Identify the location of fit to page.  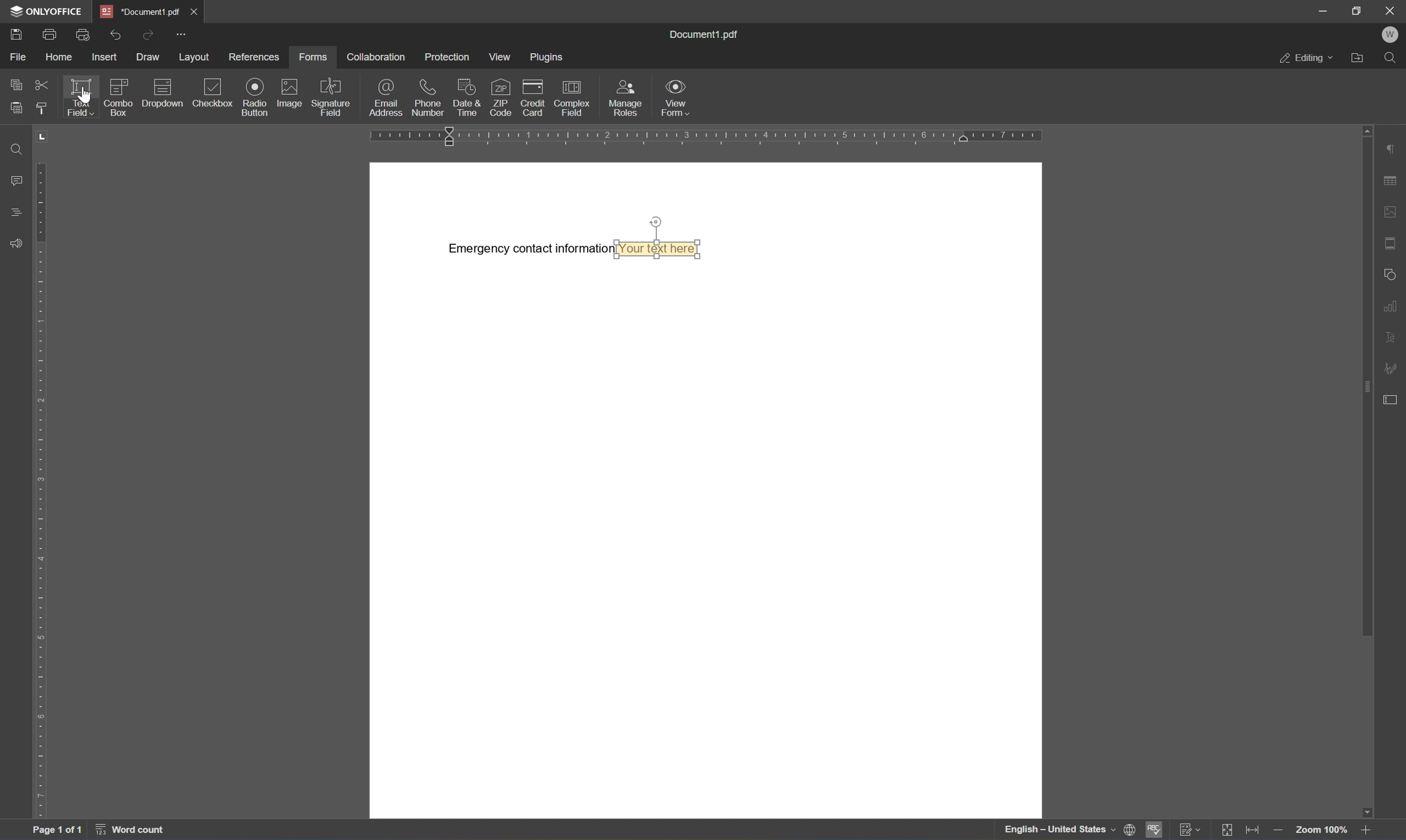
(1229, 828).